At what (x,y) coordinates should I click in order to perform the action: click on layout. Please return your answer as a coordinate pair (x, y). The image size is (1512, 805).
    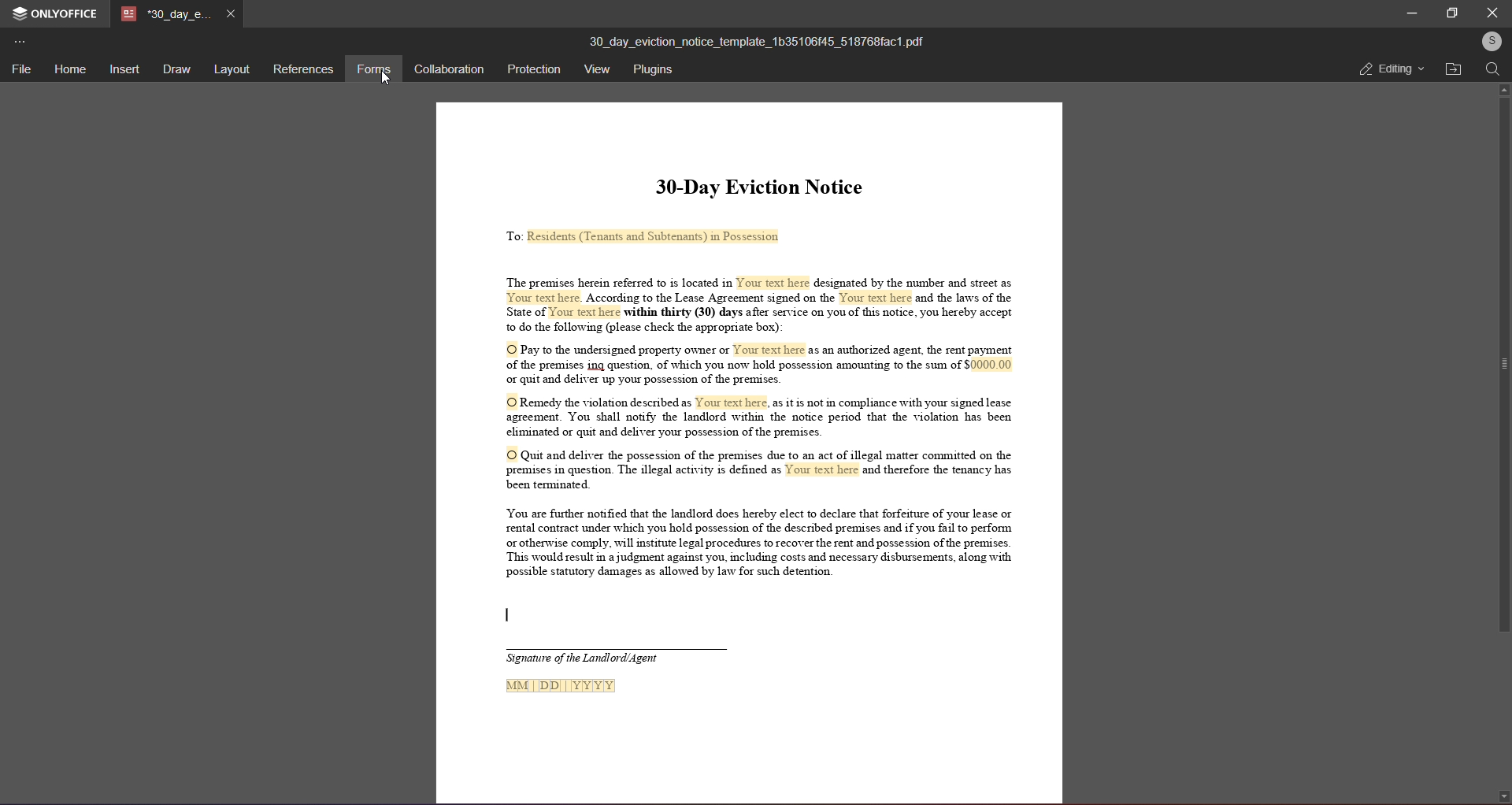
    Looking at the image, I should click on (230, 70).